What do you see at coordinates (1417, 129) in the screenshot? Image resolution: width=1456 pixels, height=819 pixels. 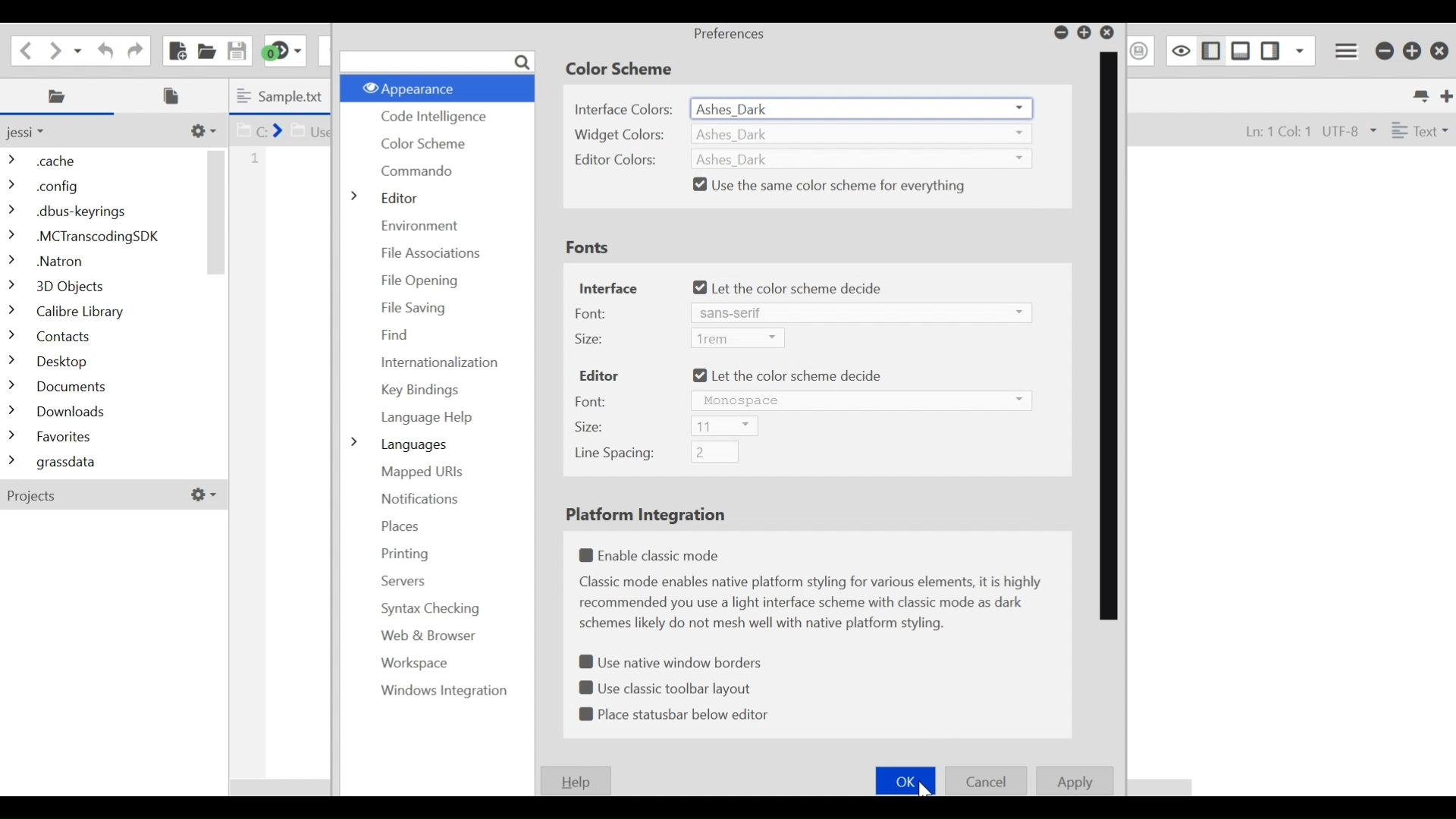 I see `File Type dropdown menu` at bounding box center [1417, 129].